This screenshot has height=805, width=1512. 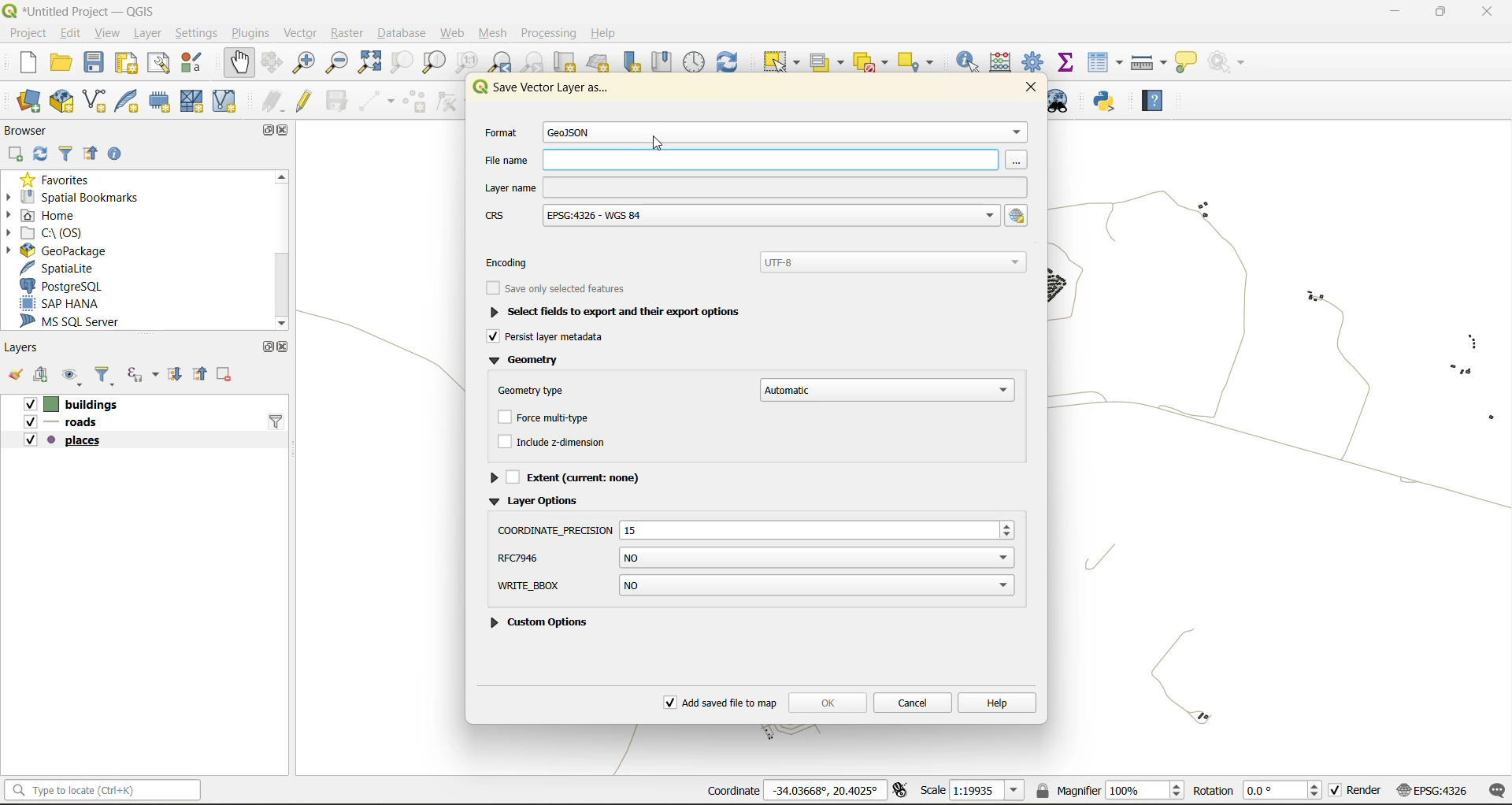 What do you see at coordinates (1258, 792) in the screenshot?
I see `rotation` at bounding box center [1258, 792].